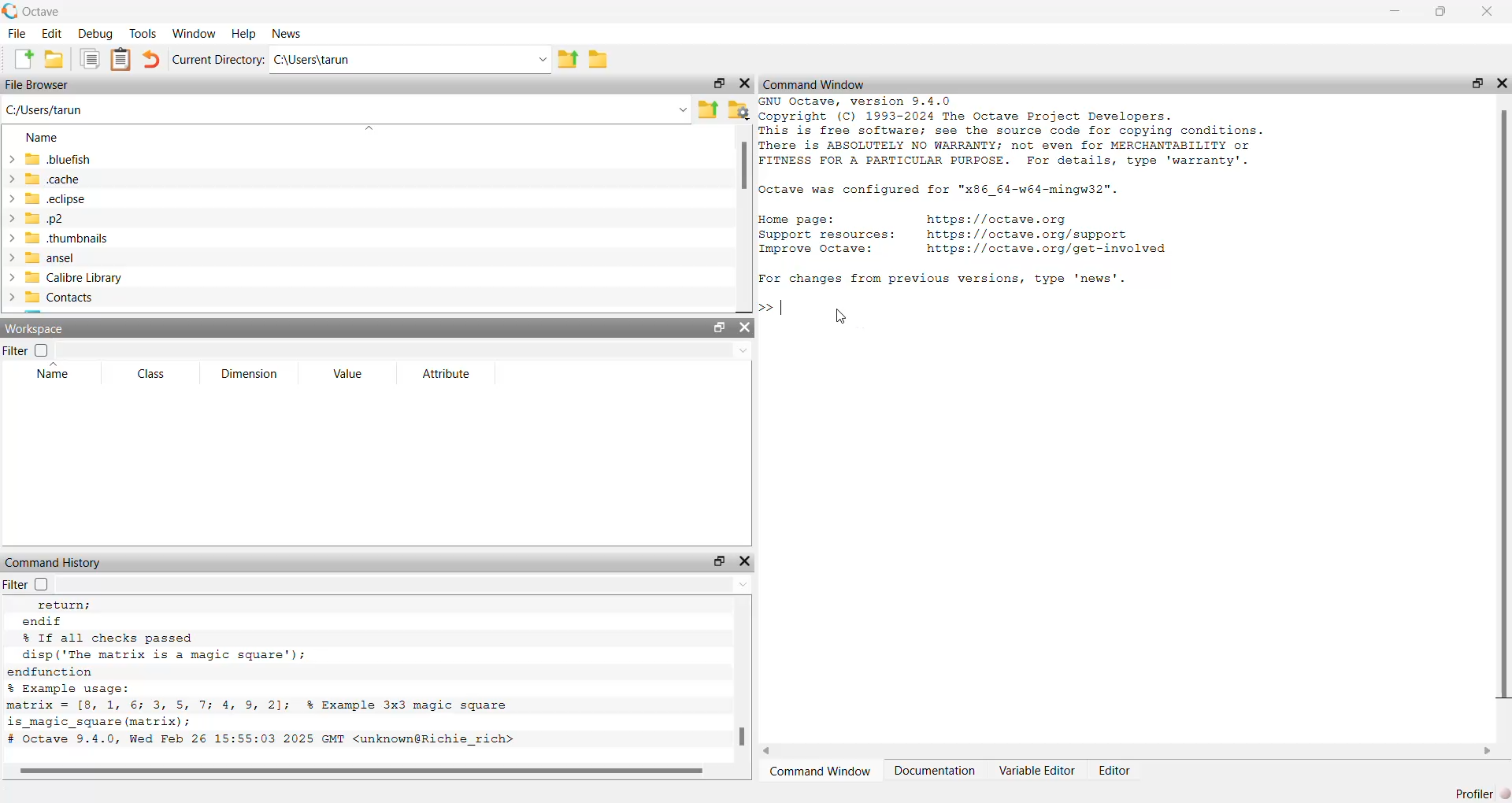 The height and width of the screenshot is (803, 1512). Describe the element at coordinates (819, 771) in the screenshot. I see `Command Window` at that location.